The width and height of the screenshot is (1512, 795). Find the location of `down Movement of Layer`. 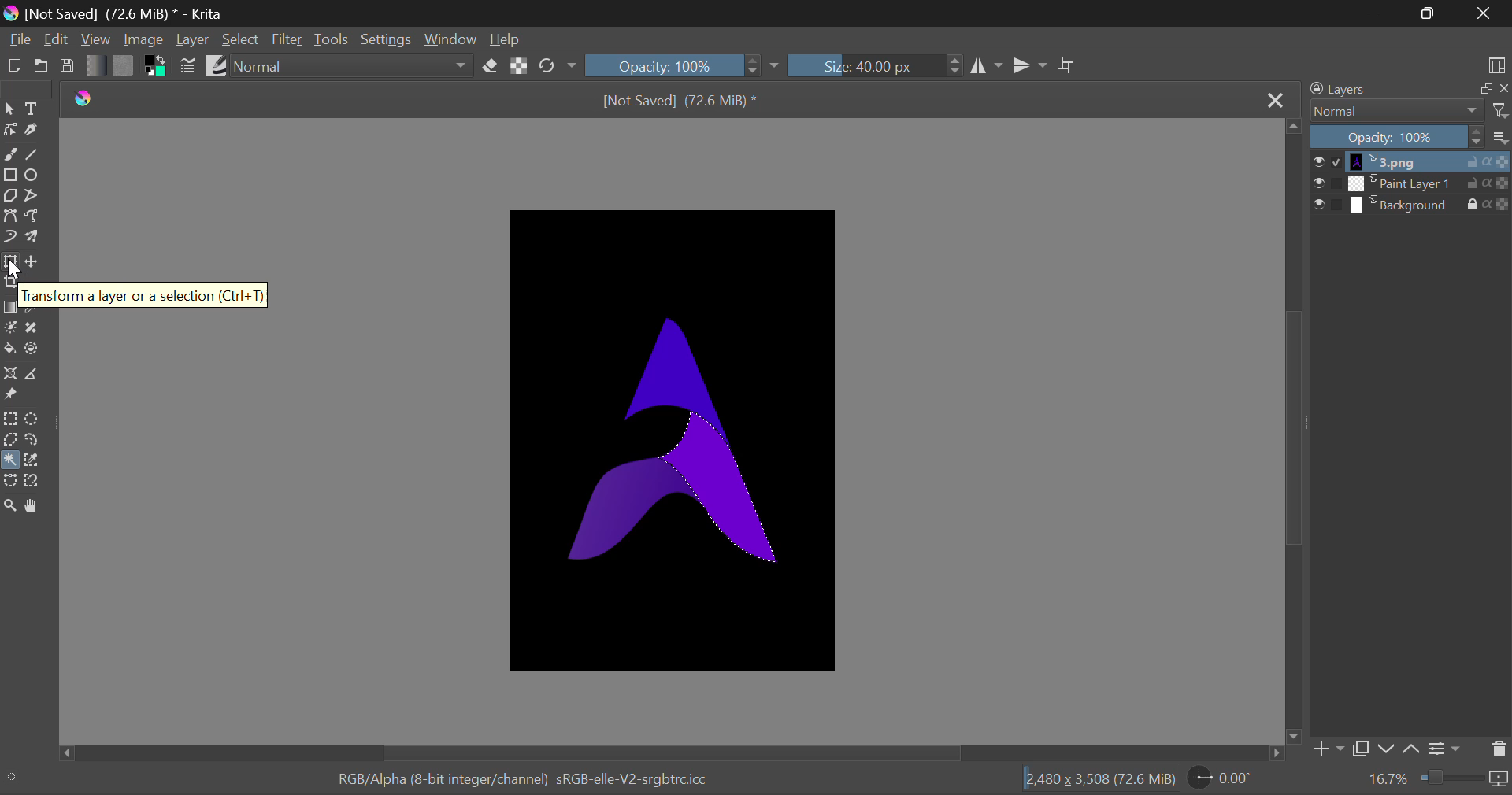

down Movement of Layer is located at coordinates (1388, 749).